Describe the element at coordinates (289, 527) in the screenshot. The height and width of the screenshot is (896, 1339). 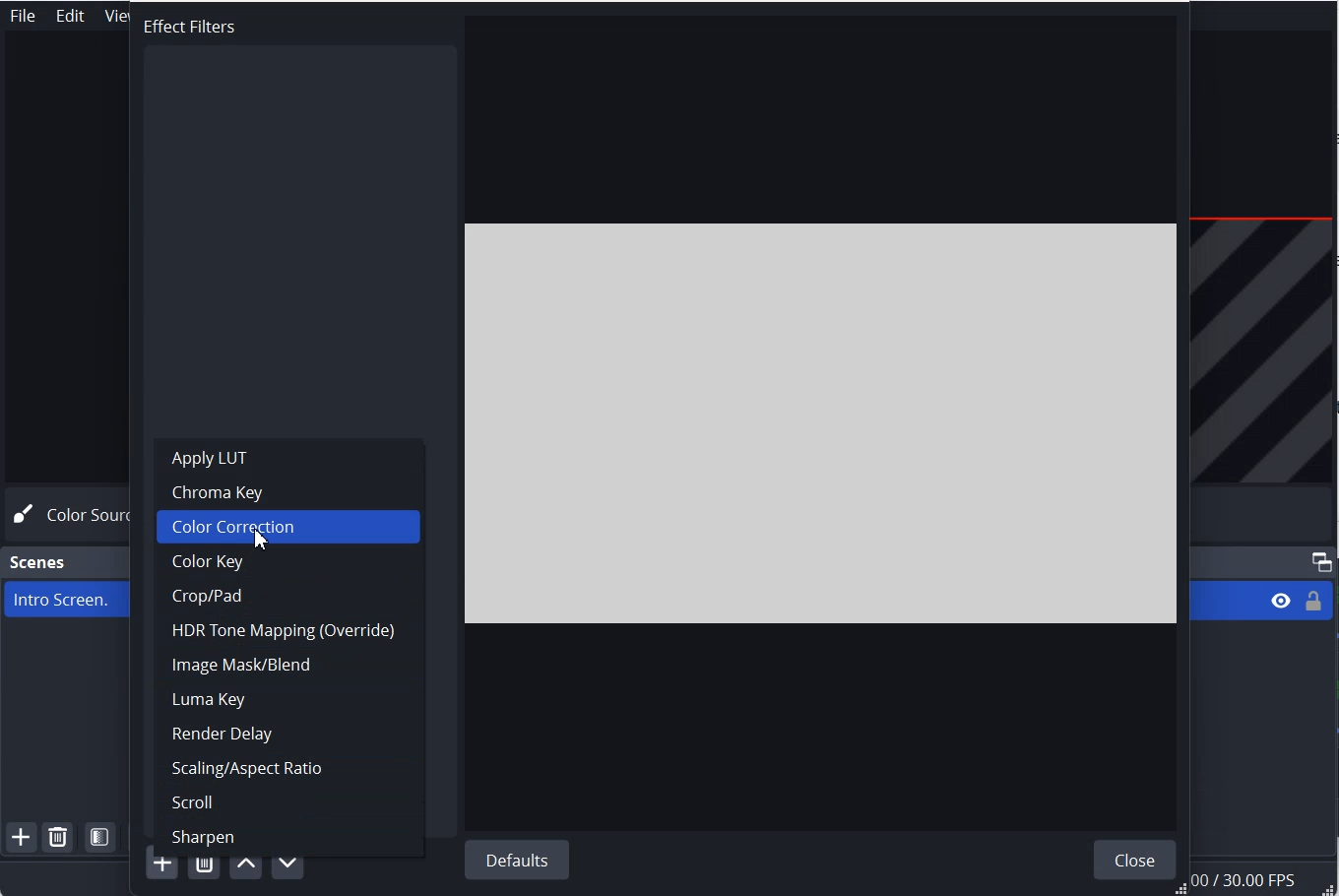
I see `Color Correction` at that location.